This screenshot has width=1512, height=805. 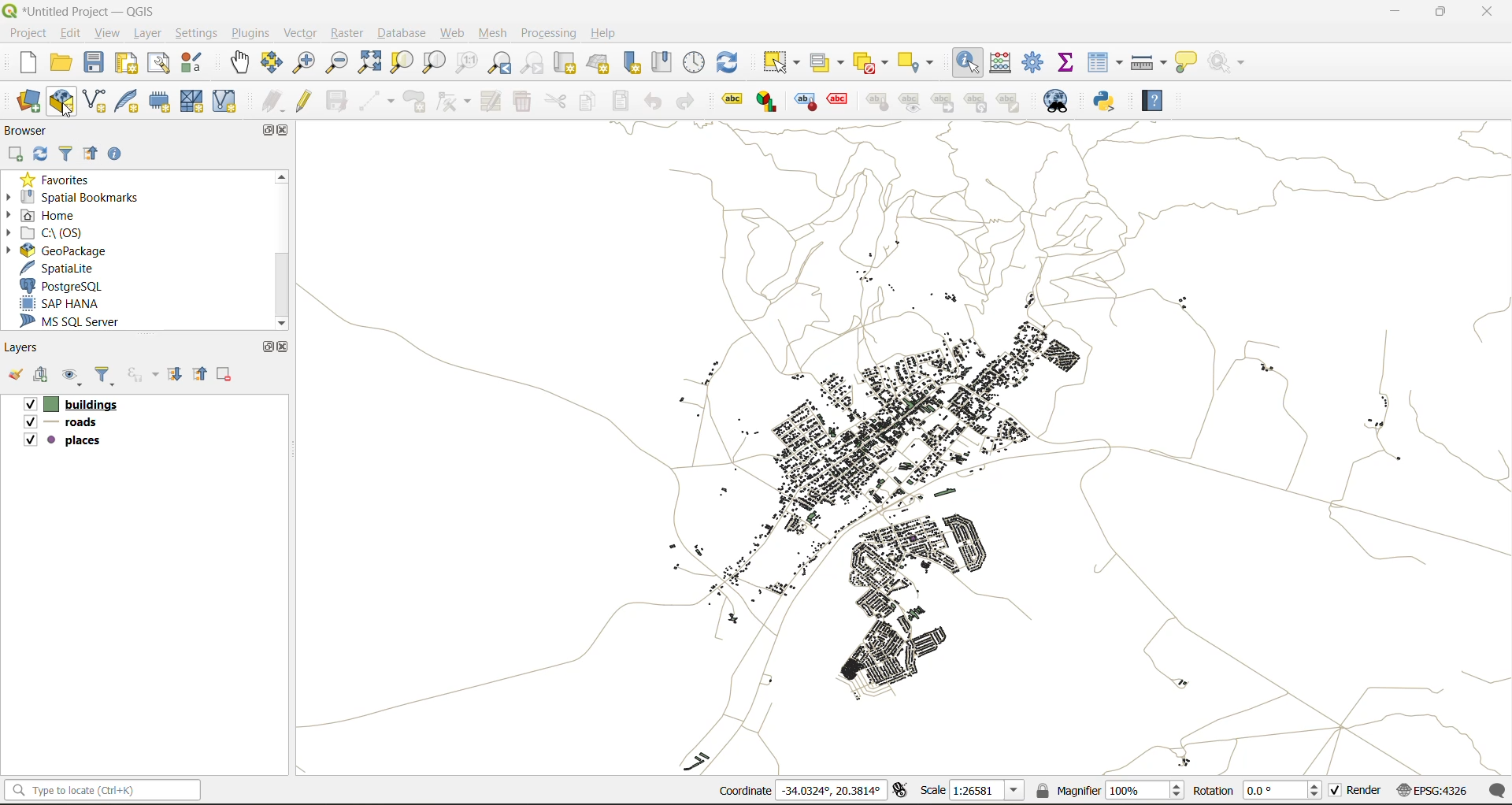 What do you see at coordinates (1034, 63) in the screenshot?
I see `control panel` at bounding box center [1034, 63].